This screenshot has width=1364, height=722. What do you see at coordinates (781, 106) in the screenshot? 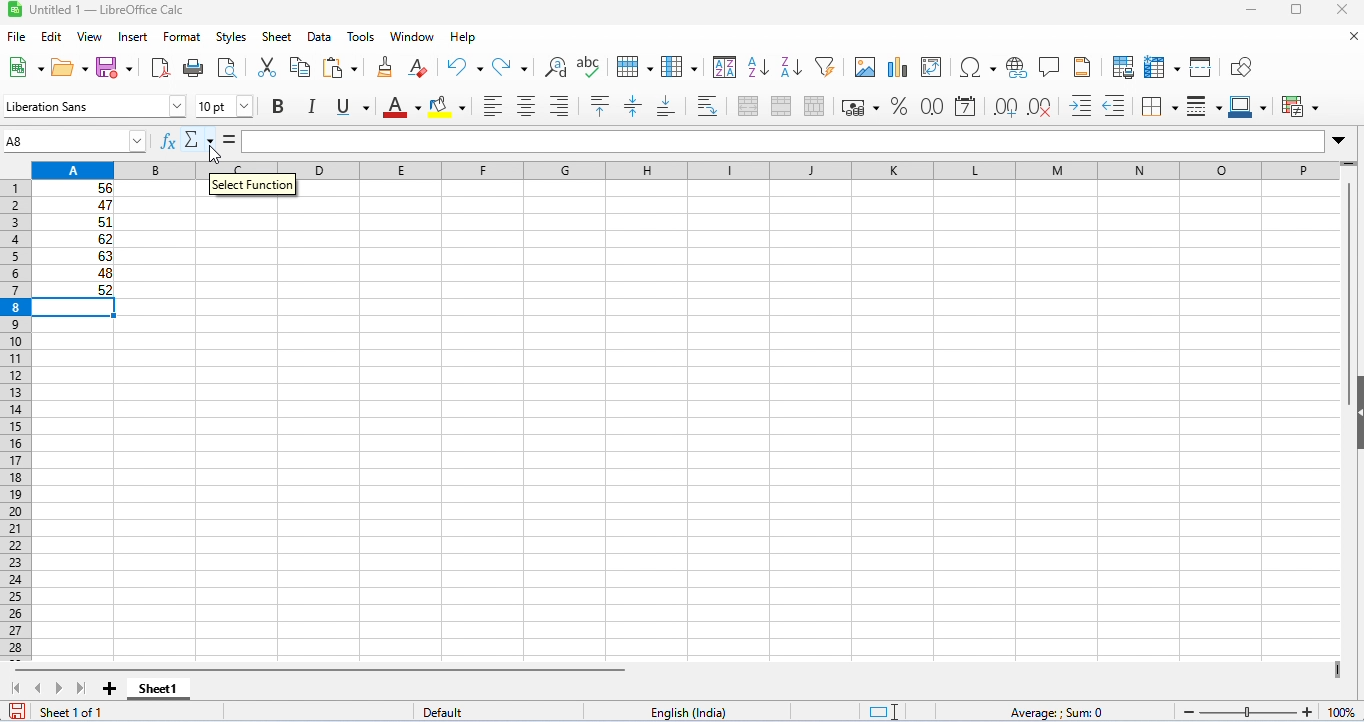
I see `merge cells` at bounding box center [781, 106].